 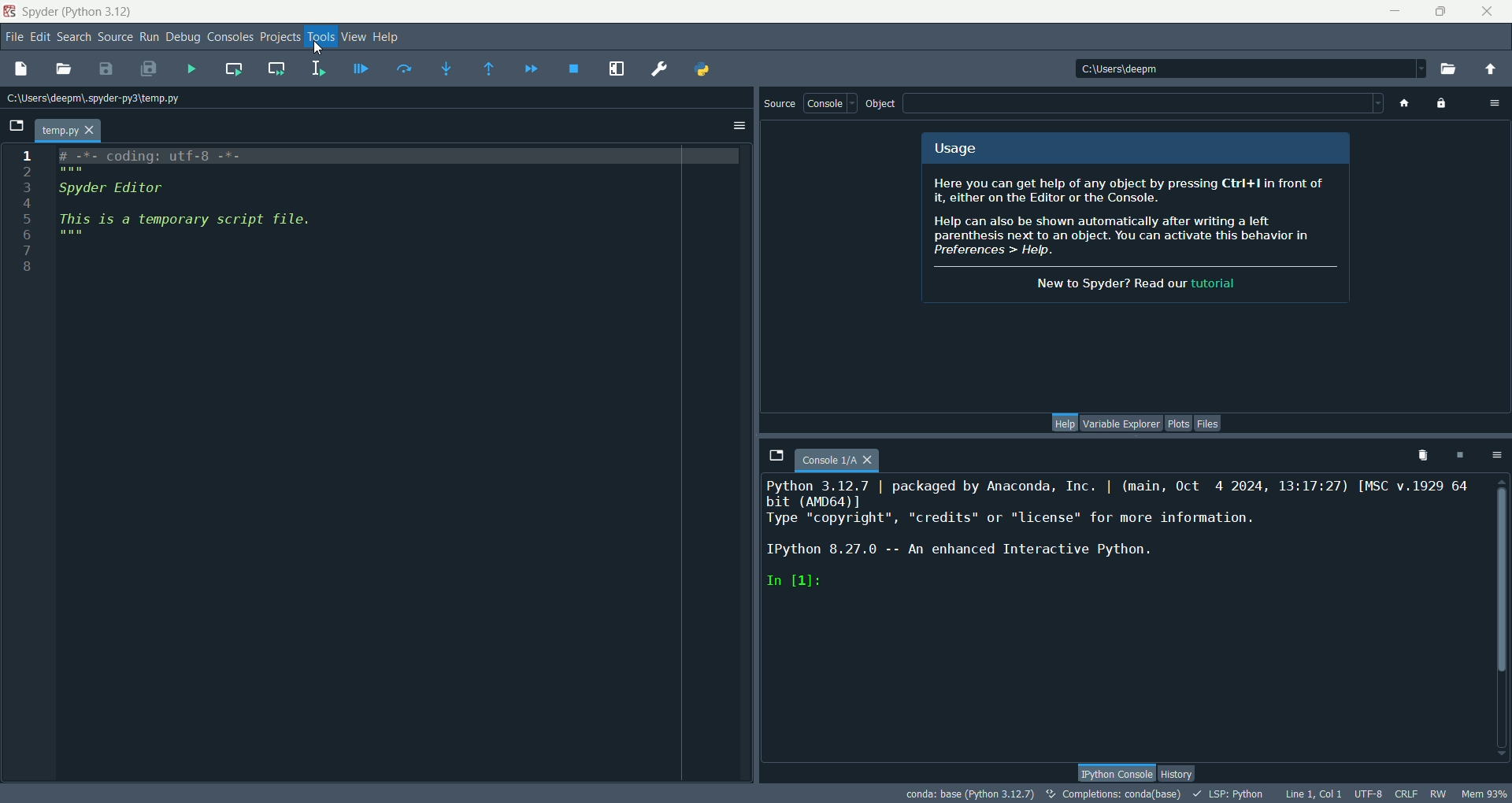 I want to click on tools, so click(x=318, y=37).